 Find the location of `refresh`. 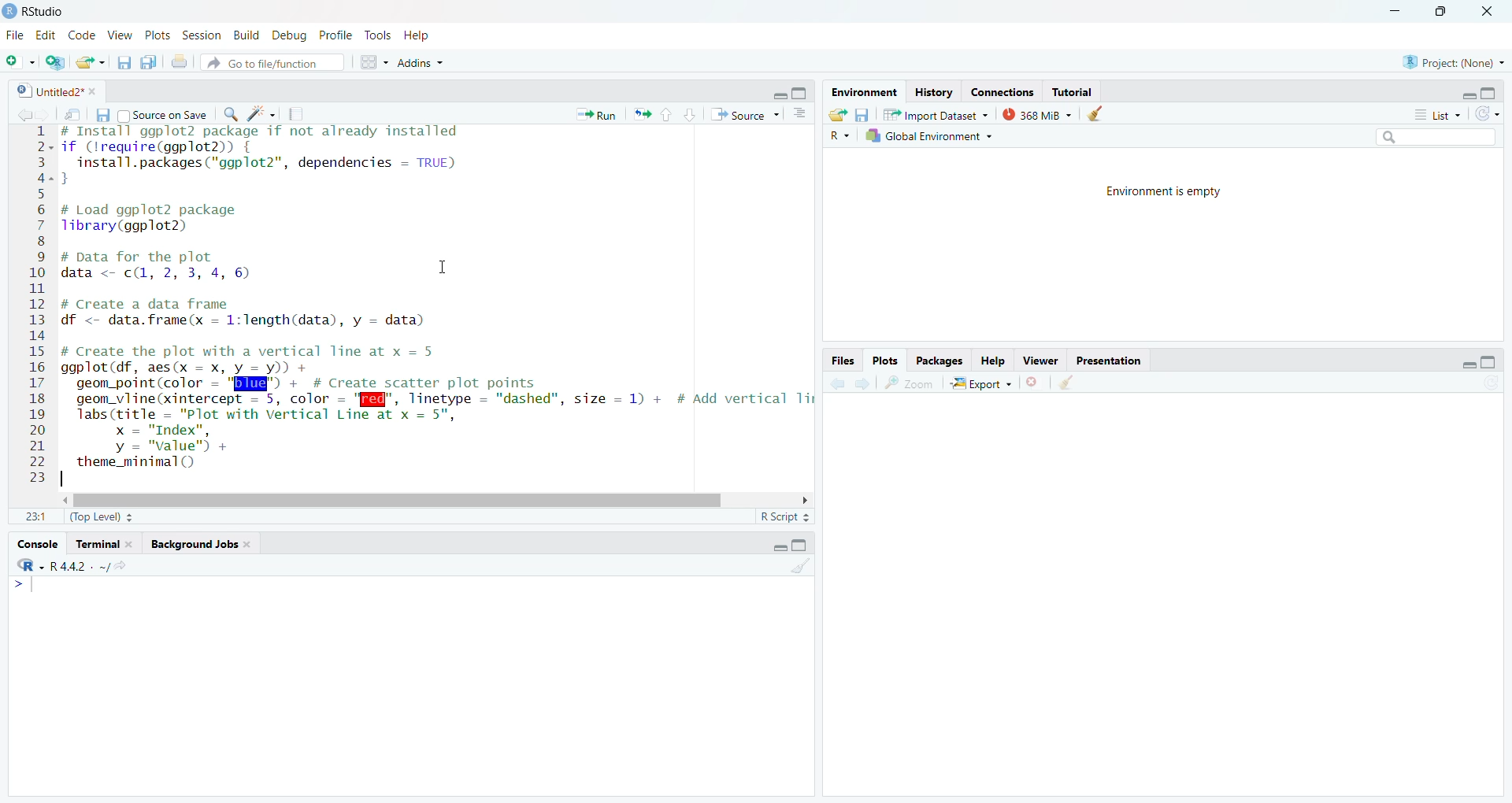

refresh is located at coordinates (1491, 117).